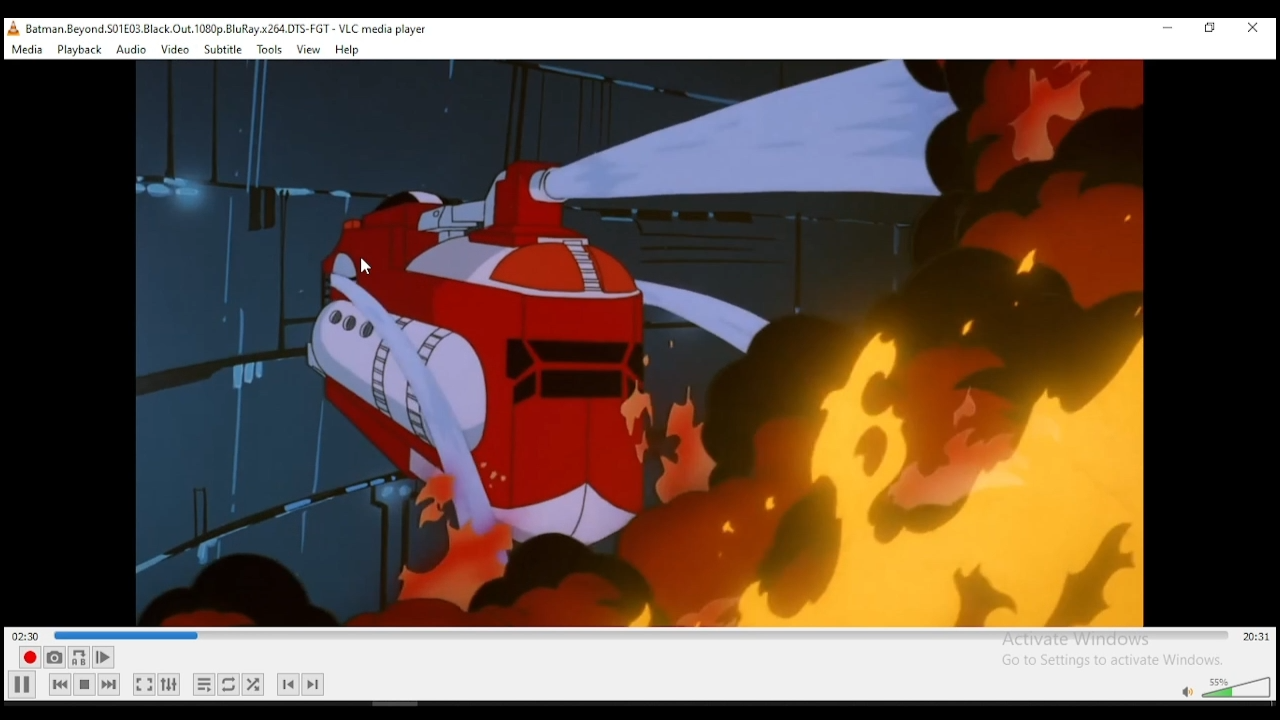 The image size is (1280, 720). Describe the element at coordinates (270, 51) in the screenshot. I see `tools` at that location.